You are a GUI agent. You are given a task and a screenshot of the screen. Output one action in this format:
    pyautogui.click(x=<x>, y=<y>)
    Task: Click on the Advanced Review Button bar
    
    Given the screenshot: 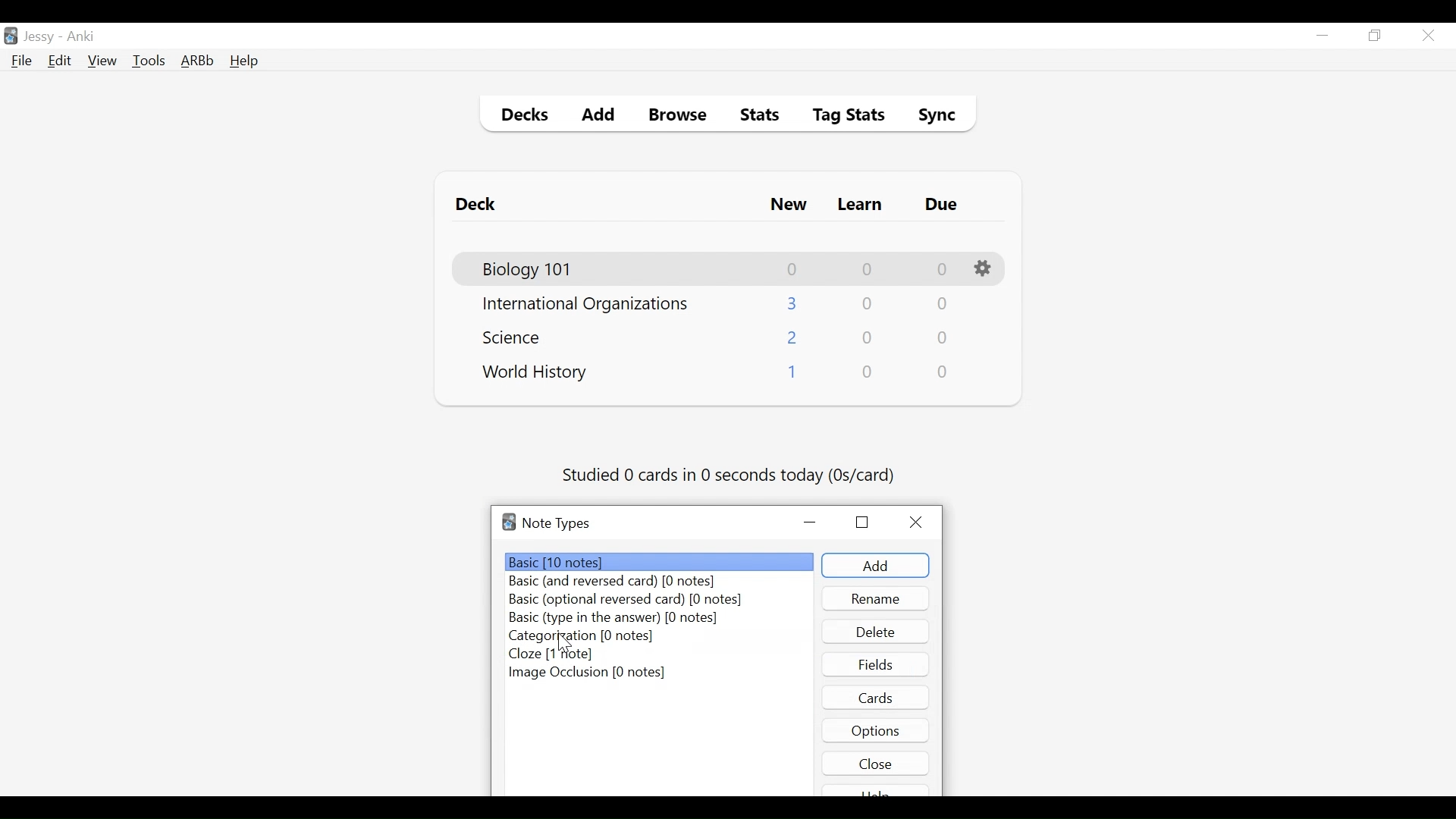 What is the action you would take?
    pyautogui.click(x=198, y=61)
    